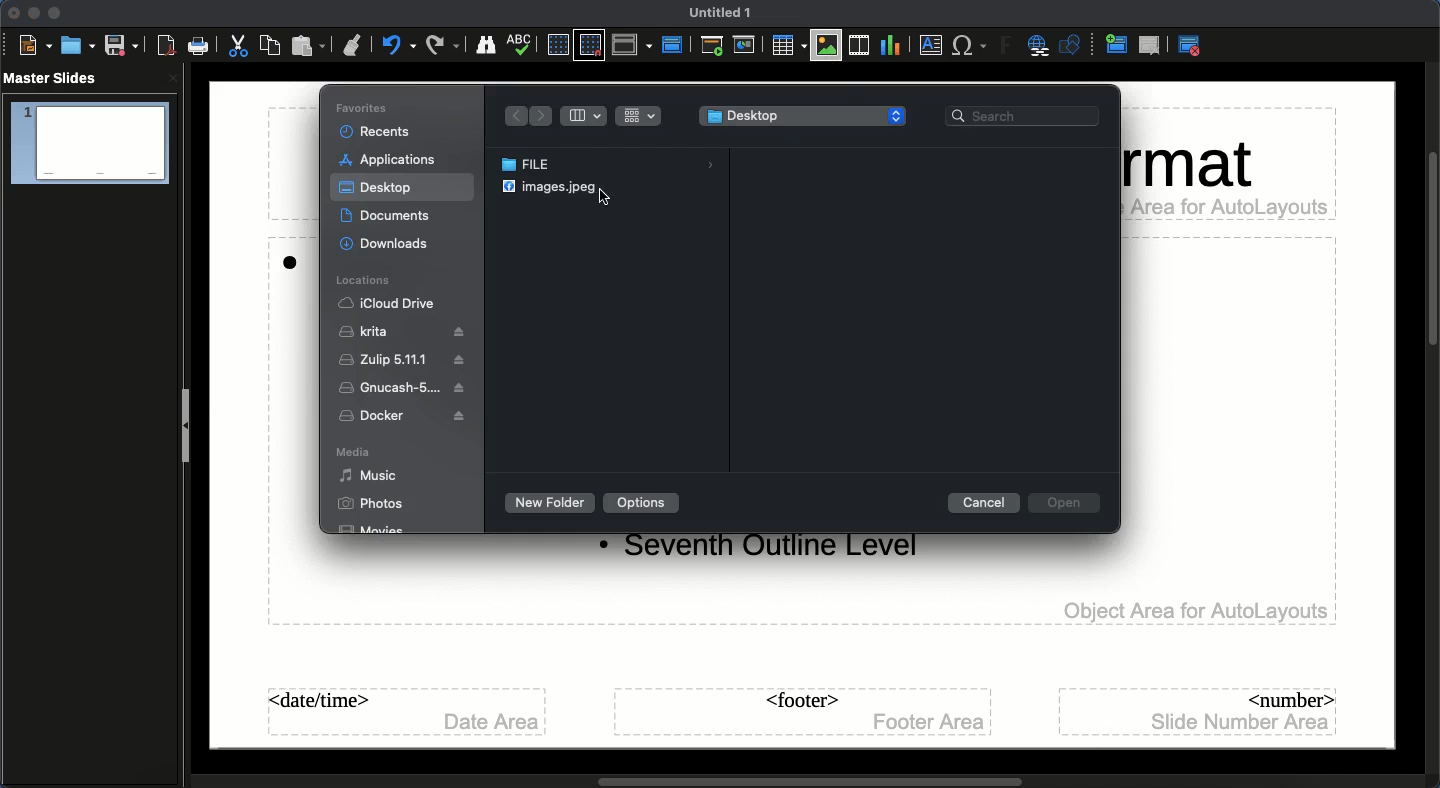 This screenshot has height=788, width=1440. I want to click on Minimize, so click(33, 13).